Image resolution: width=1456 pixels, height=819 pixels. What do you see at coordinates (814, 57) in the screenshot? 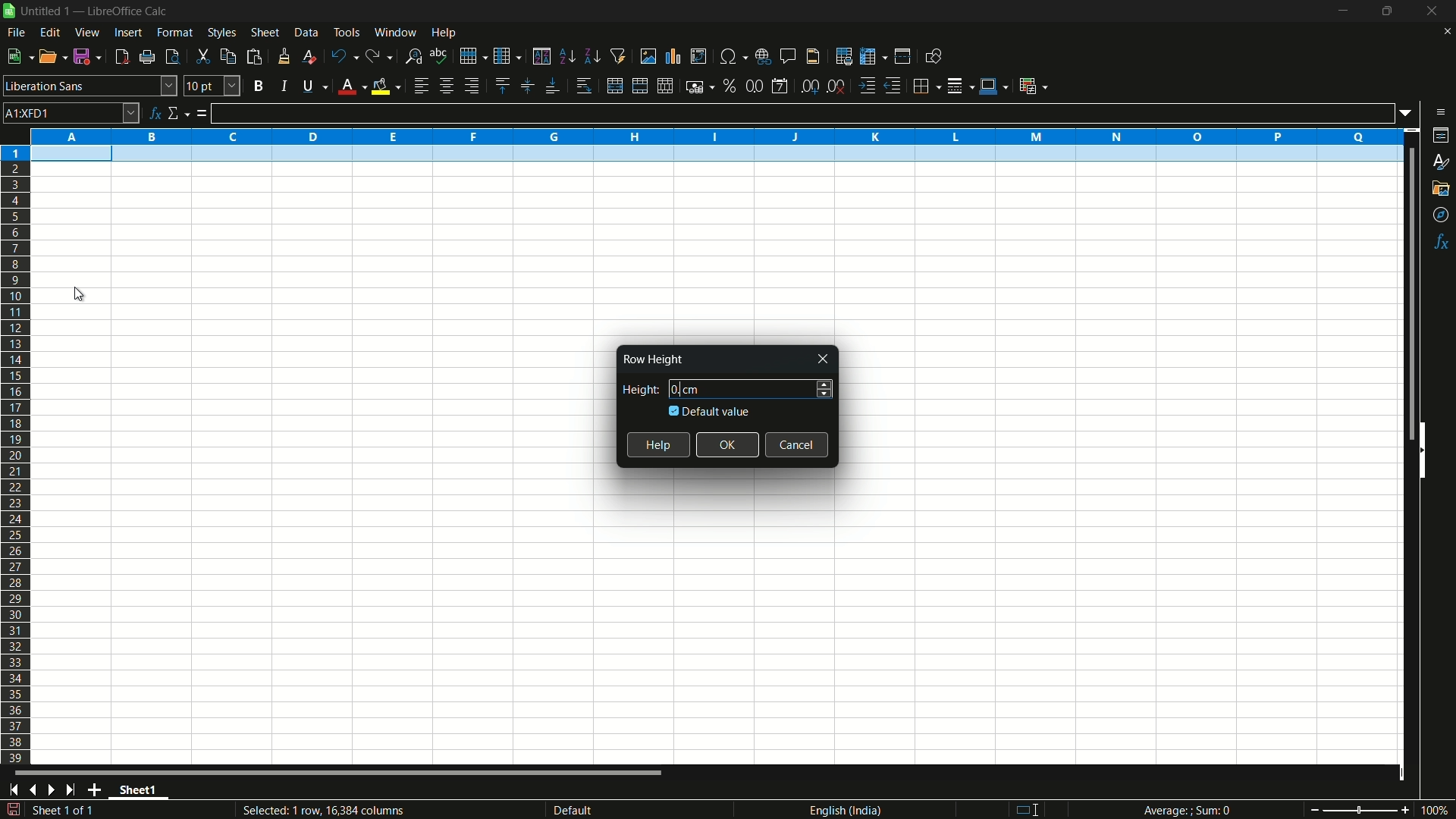
I see `header and footer` at bounding box center [814, 57].